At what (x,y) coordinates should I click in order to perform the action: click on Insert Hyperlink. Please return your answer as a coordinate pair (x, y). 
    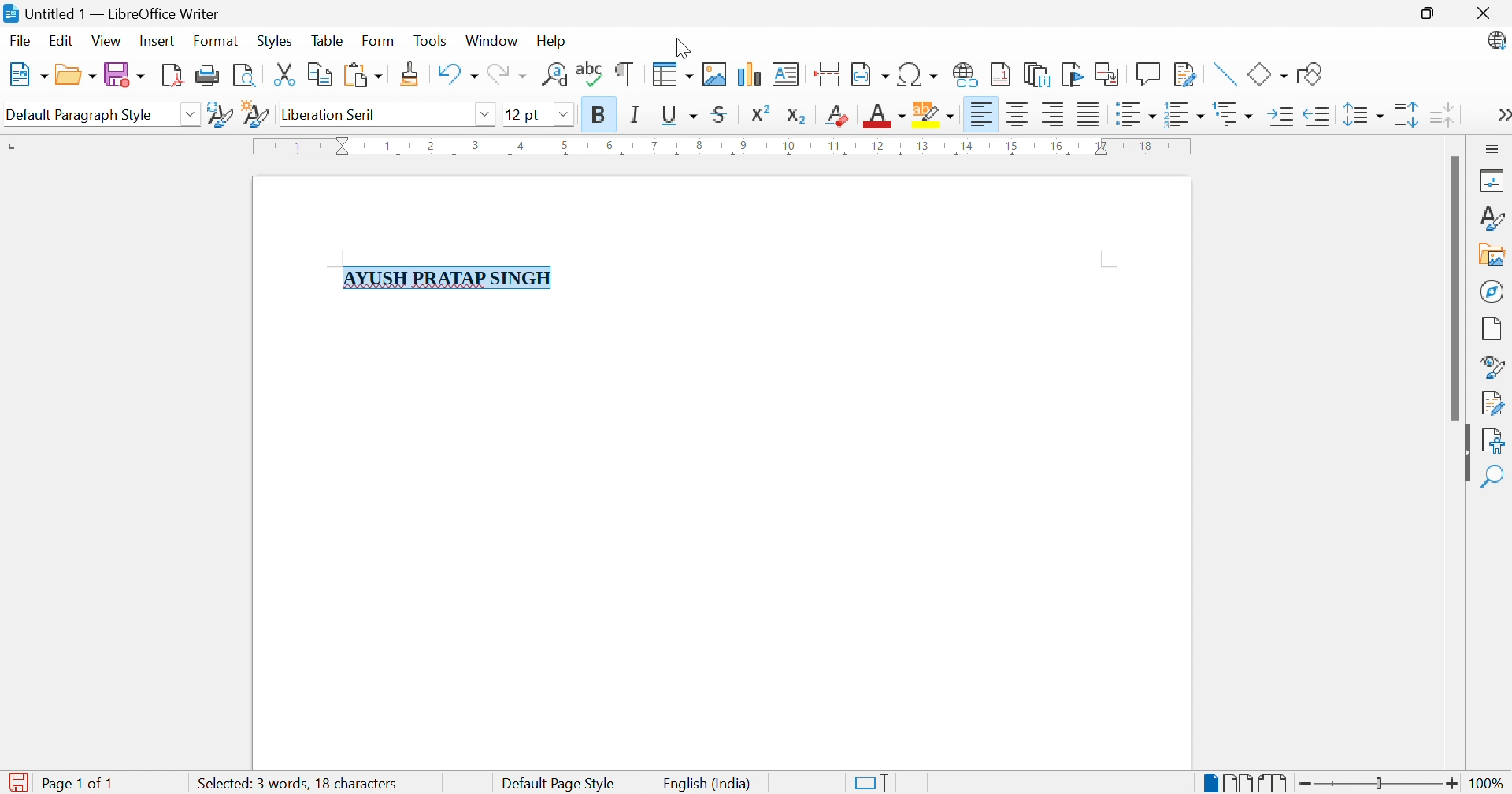
    Looking at the image, I should click on (963, 74).